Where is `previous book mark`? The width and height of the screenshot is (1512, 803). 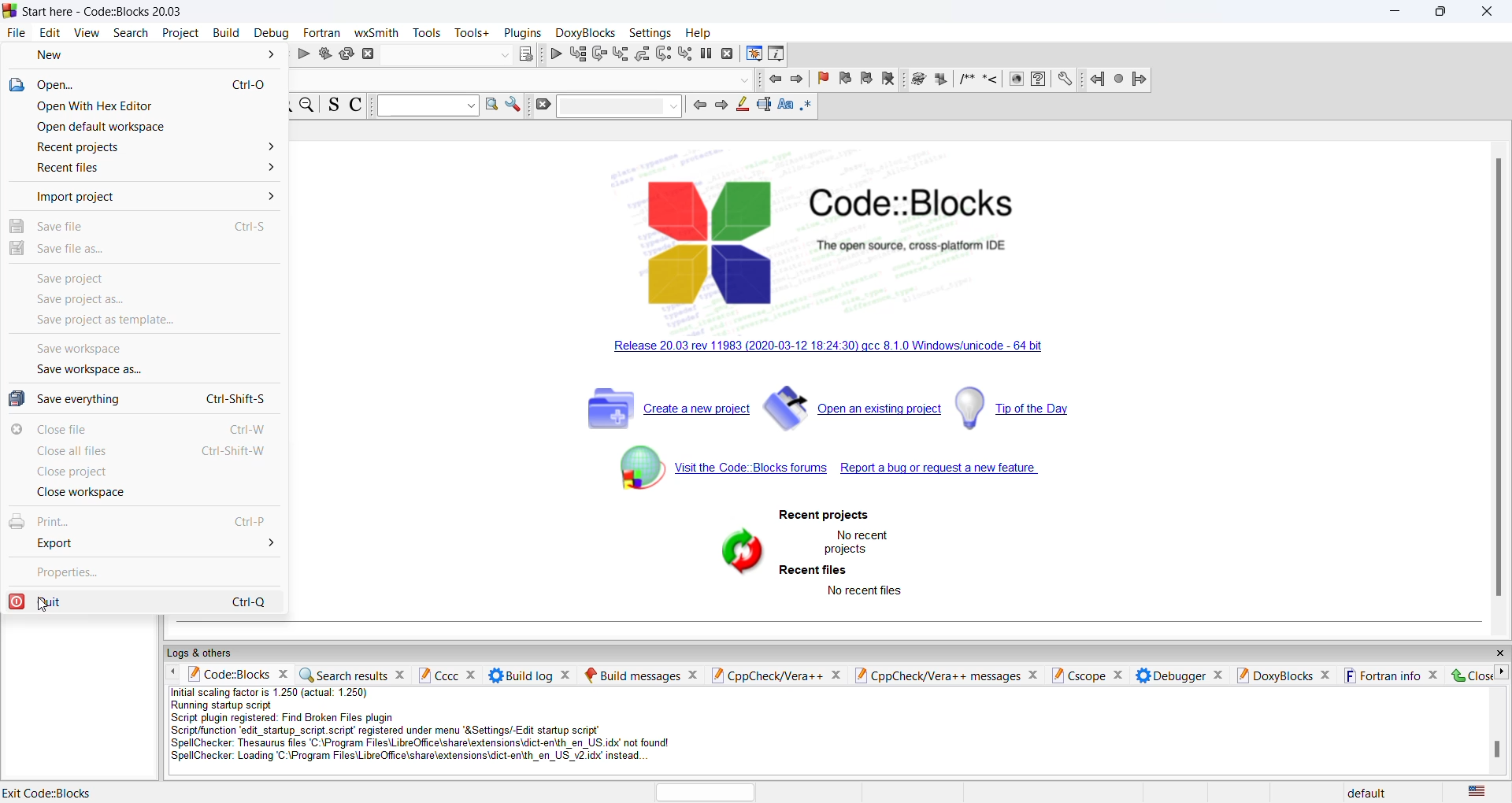 previous book mark is located at coordinates (843, 78).